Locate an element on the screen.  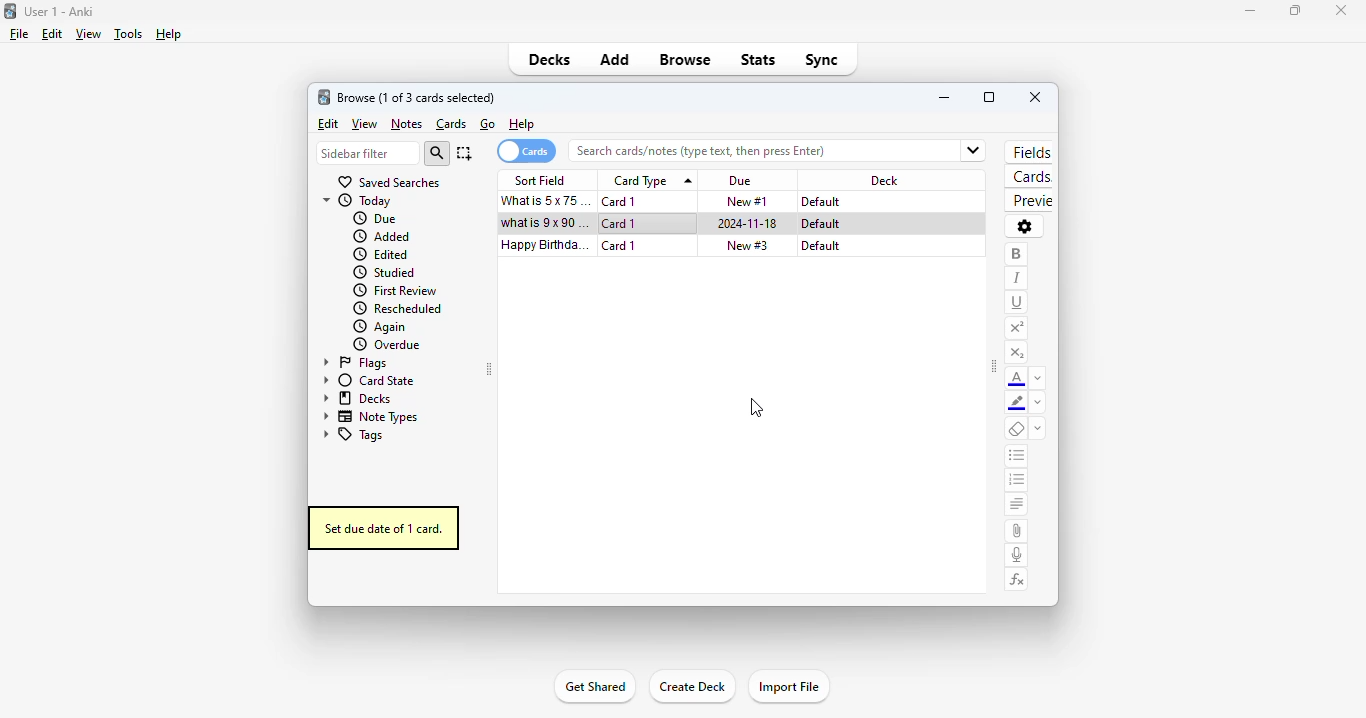
maximize is located at coordinates (989, 97).